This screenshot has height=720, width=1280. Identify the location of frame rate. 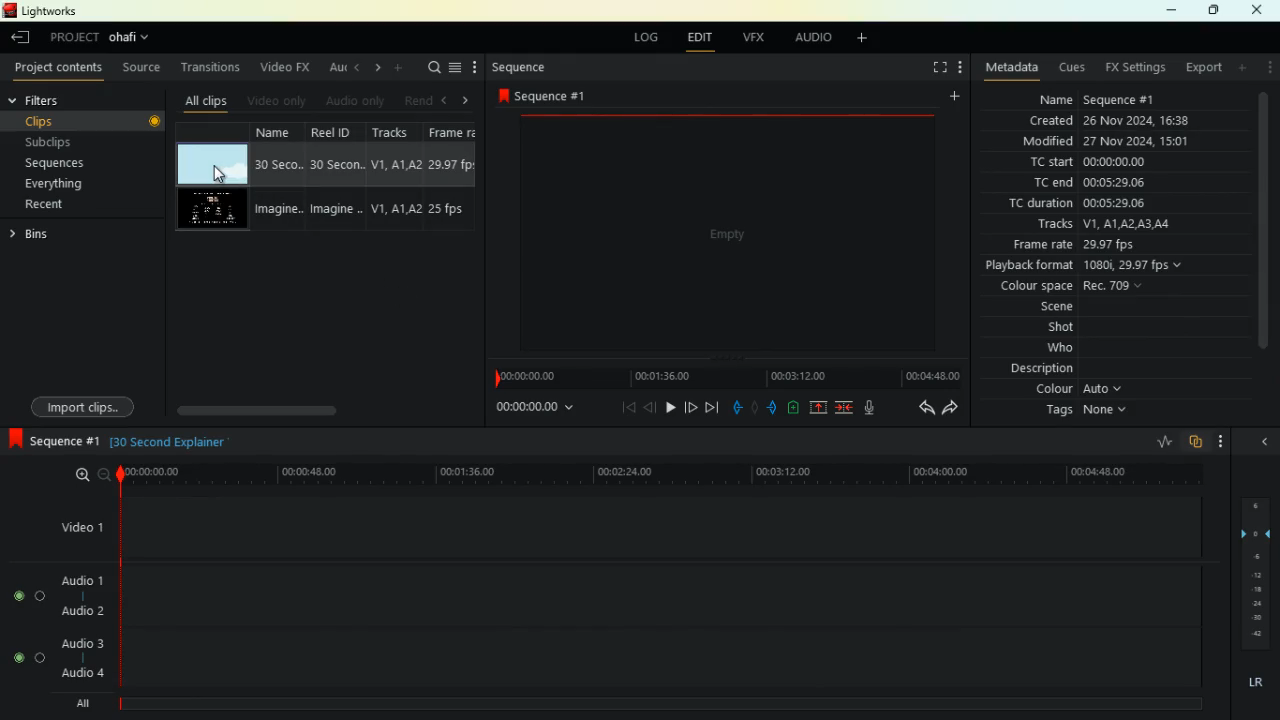
(1103, 247).